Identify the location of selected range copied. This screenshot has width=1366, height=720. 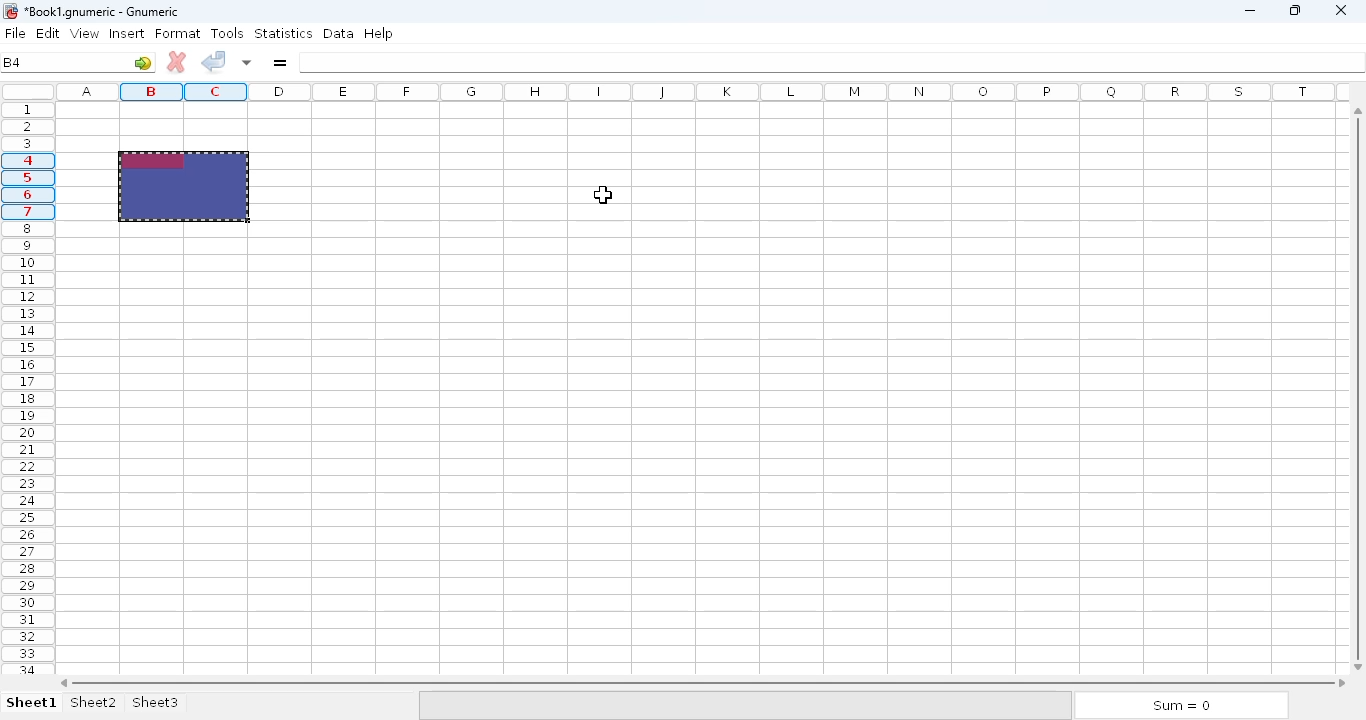
(184, 187).